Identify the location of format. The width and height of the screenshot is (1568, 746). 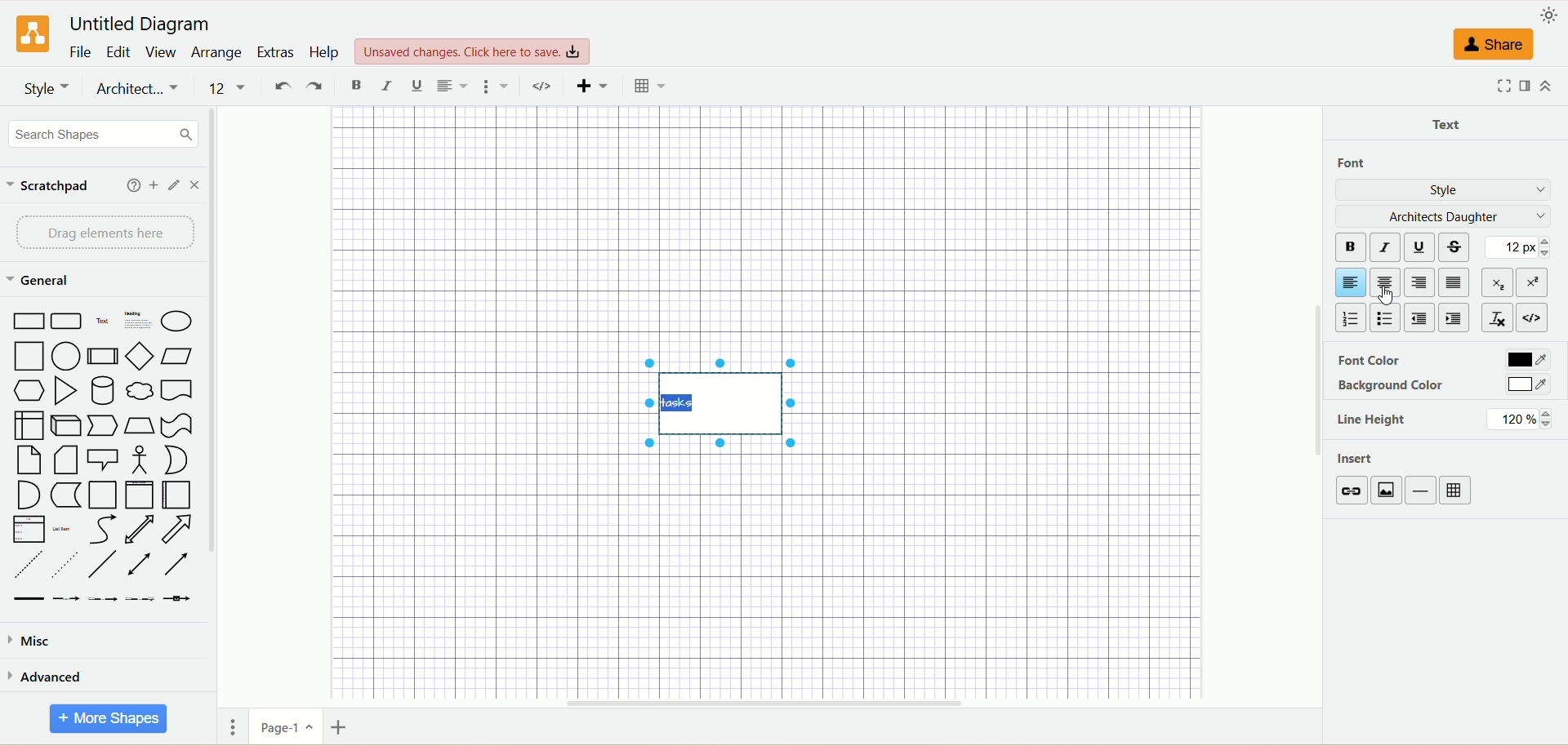
(1523, 86).